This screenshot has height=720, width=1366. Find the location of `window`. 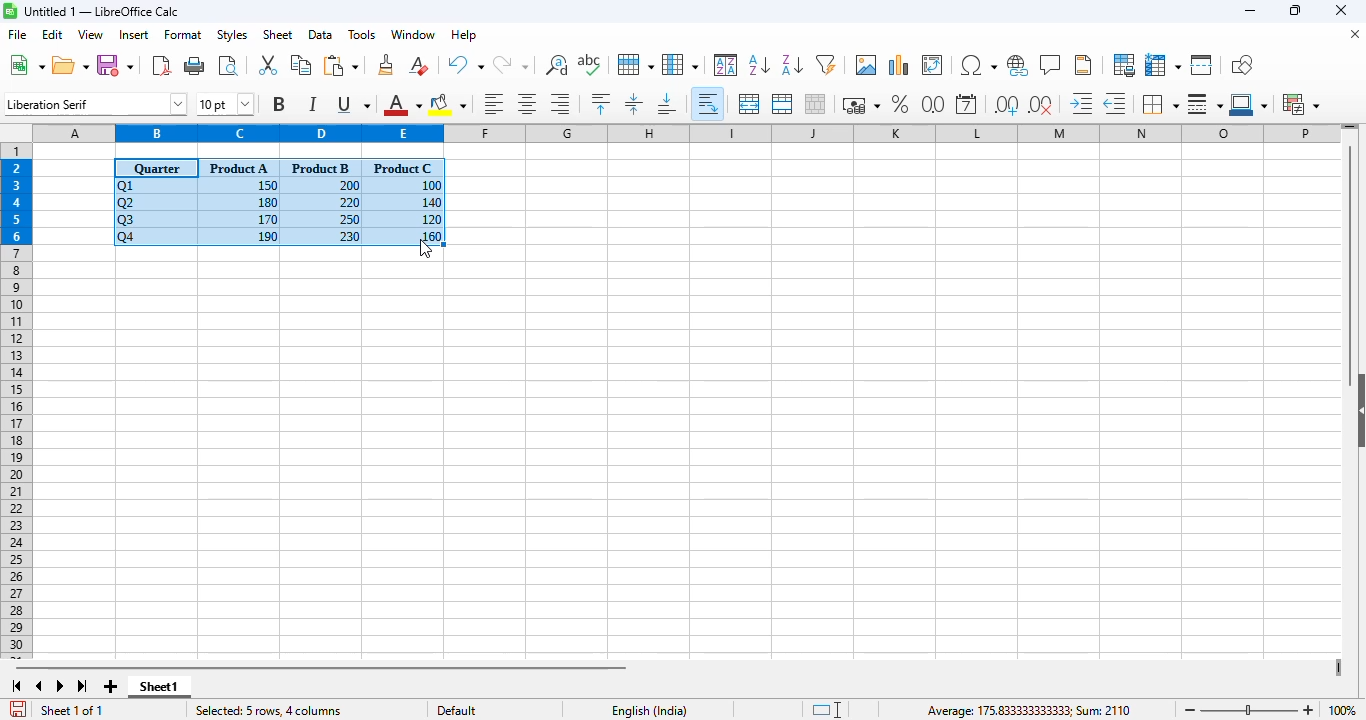

window is located at coordinates (413, 34).